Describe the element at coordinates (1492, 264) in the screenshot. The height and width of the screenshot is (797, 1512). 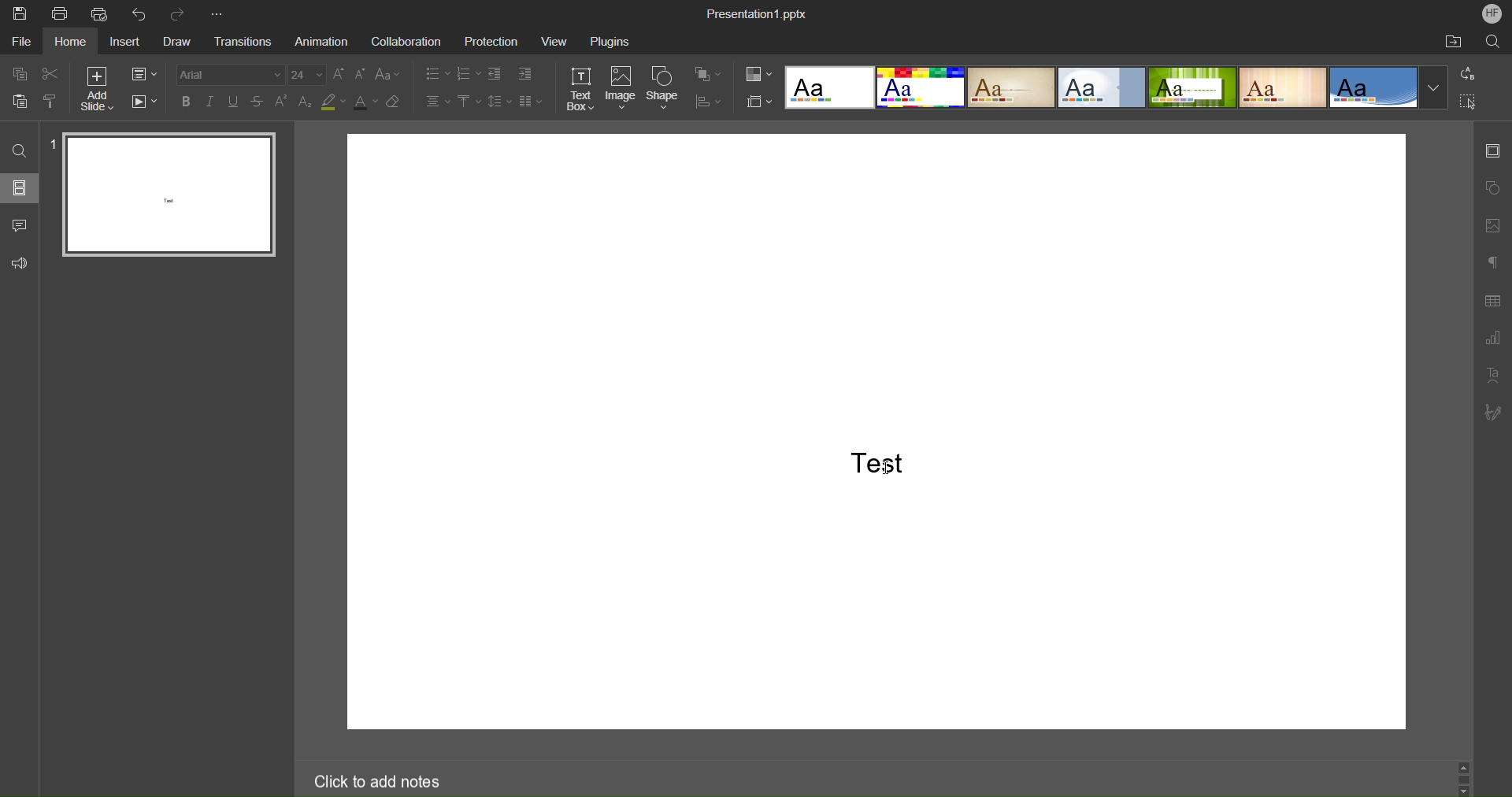
I see `Paragraph Settings` at that location.